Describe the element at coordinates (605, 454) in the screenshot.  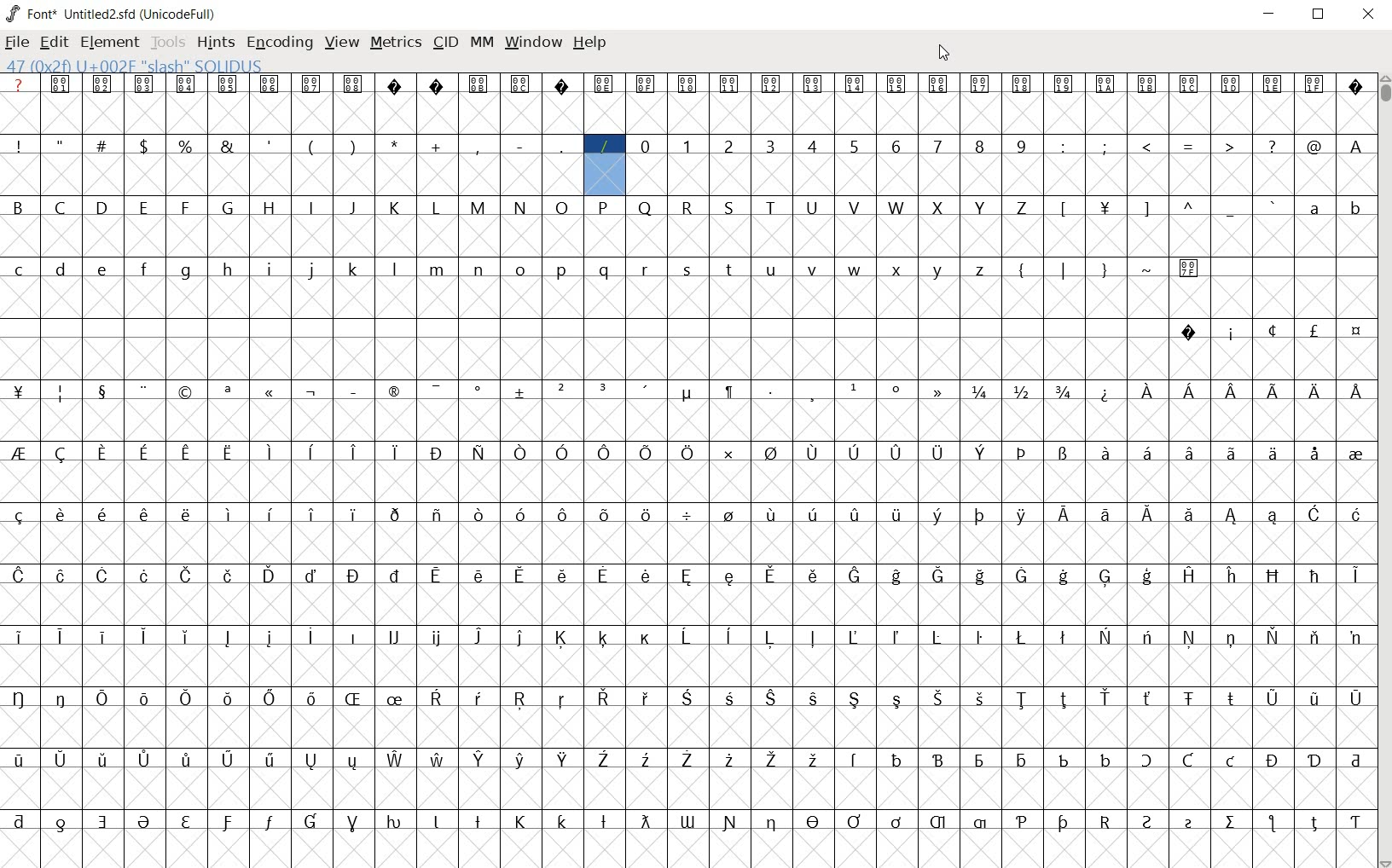
I see `glyph` at that location.